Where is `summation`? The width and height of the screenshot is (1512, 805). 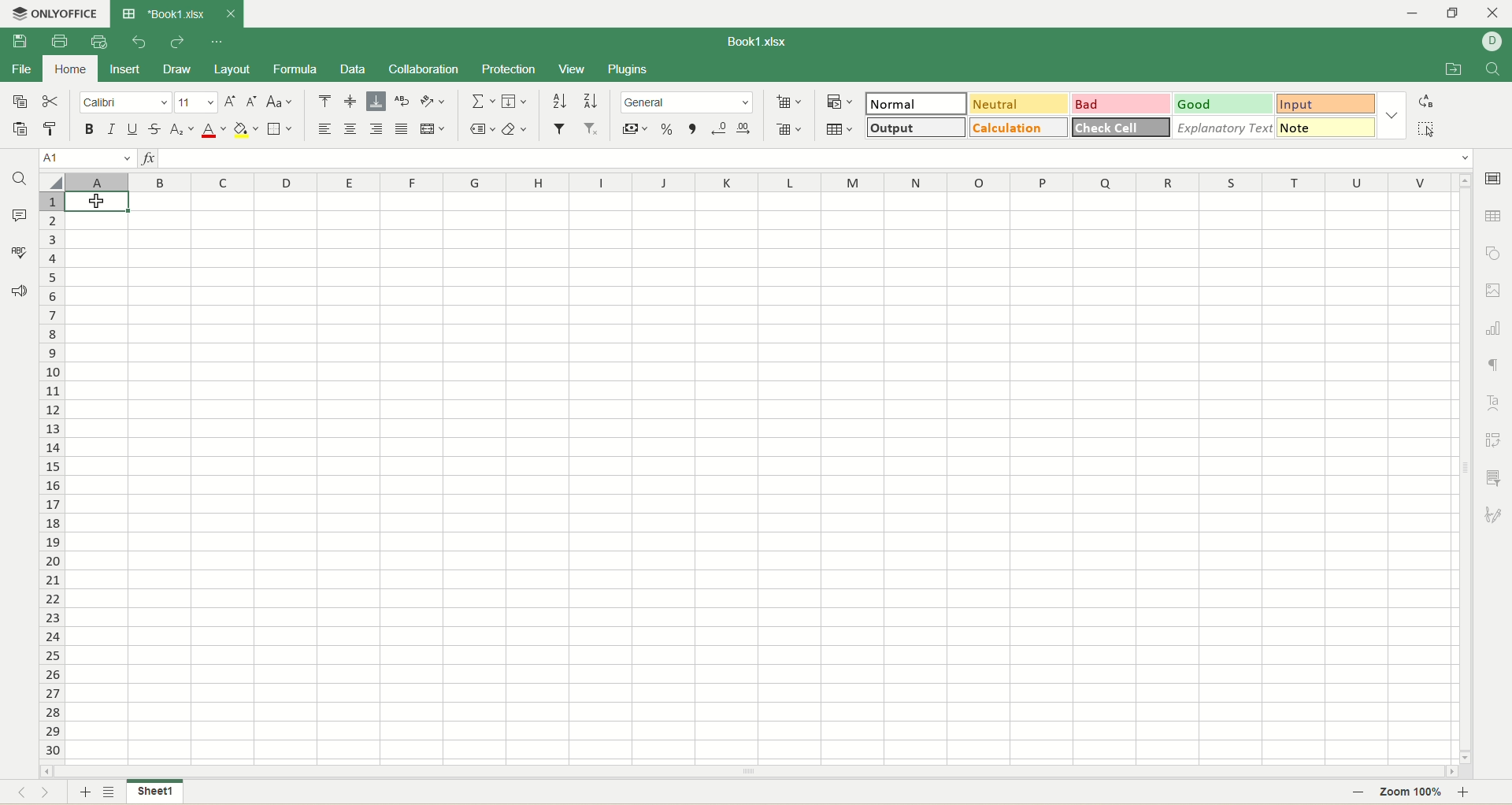
summation is located at coordinates (484, 100).